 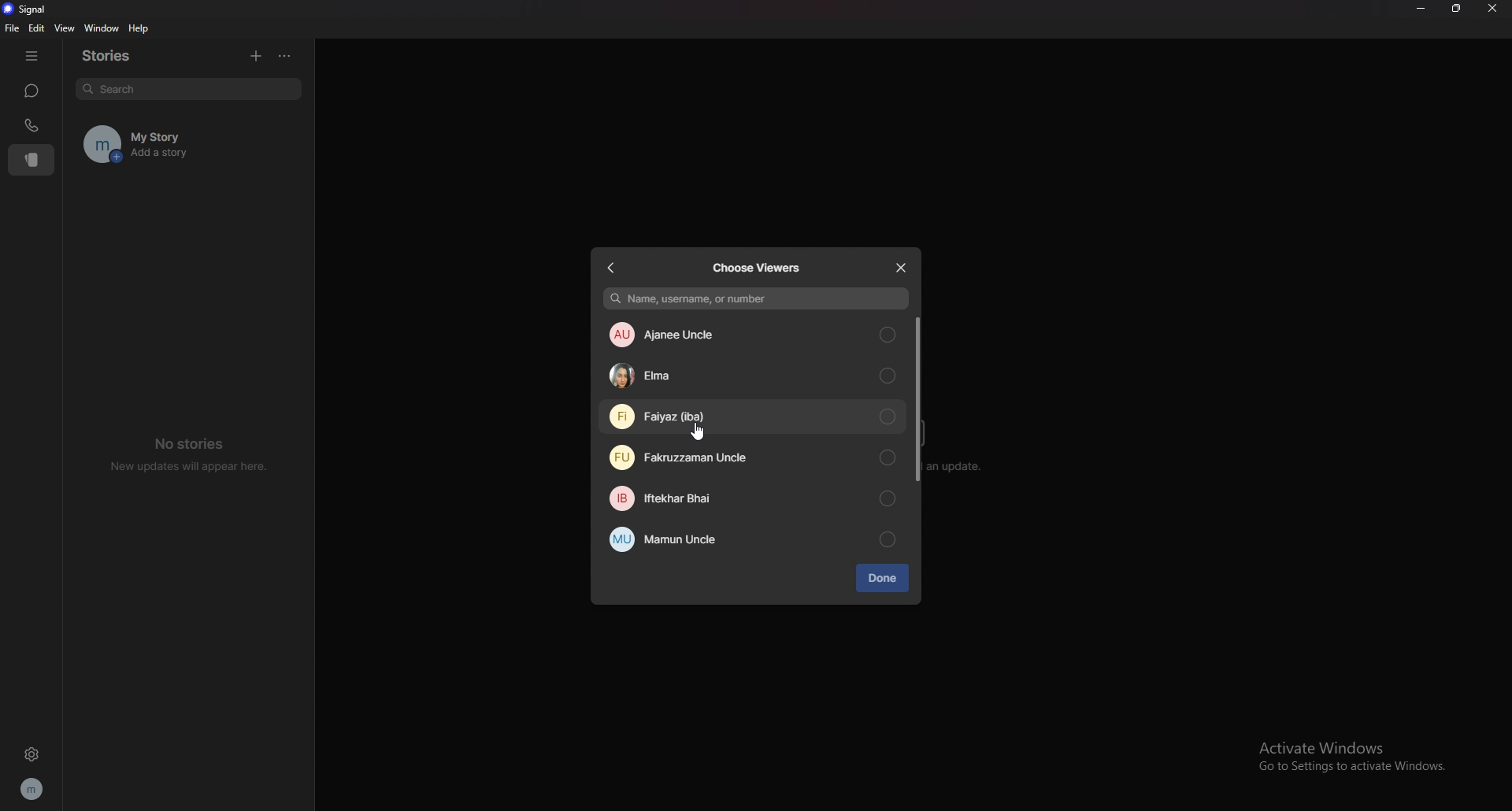 I want to click on edit, so click(x=36, y=28).